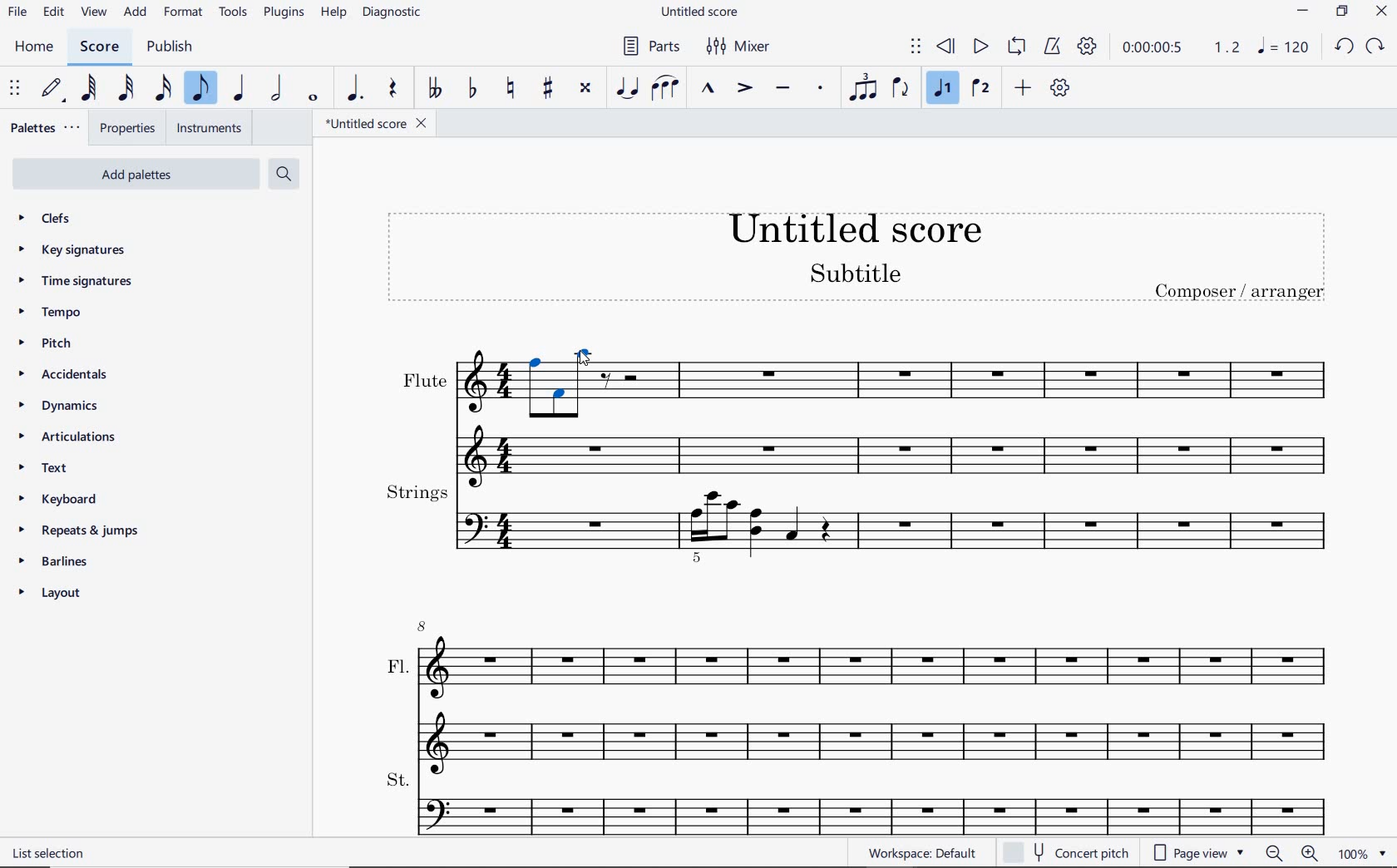 This screenshot has width=1397, height=868. I want to click on strings, so click(859, 521).